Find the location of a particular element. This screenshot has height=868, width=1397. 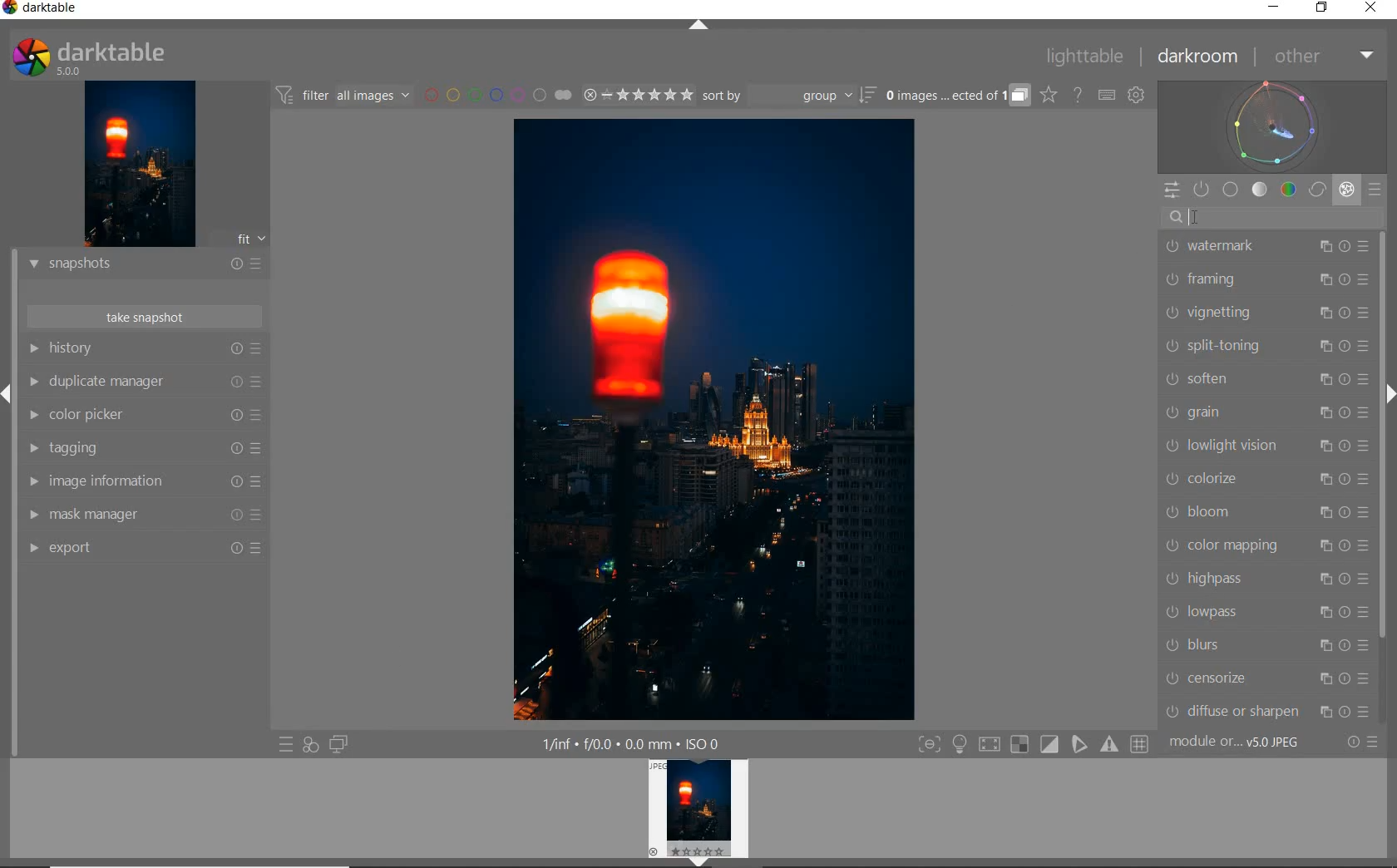

SHOW ONLY ACTIVE MODULES is located at coordinates (1202, 189).